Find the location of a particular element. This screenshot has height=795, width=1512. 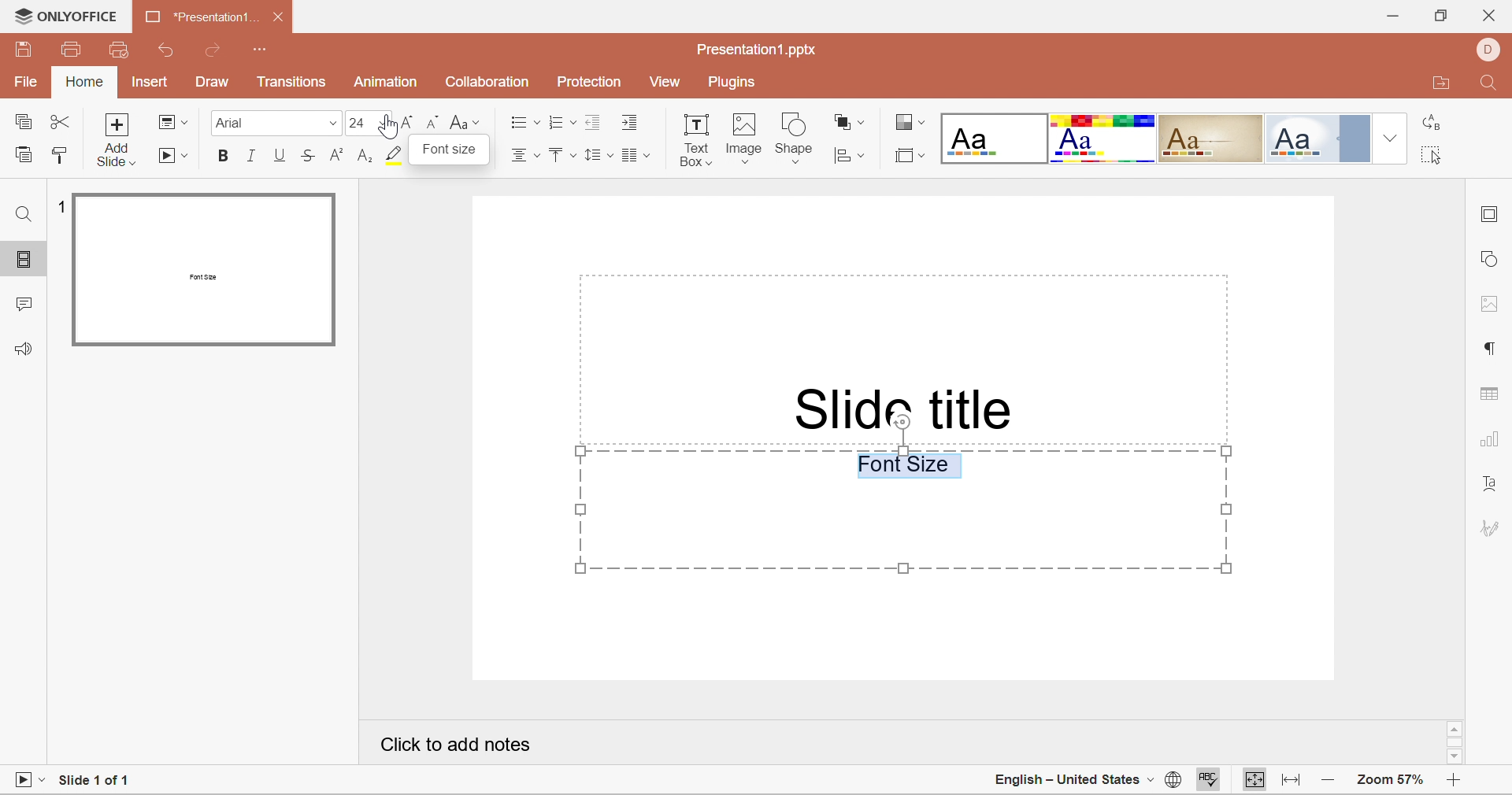

Fit to slide is located at coordinates (1255, 781).